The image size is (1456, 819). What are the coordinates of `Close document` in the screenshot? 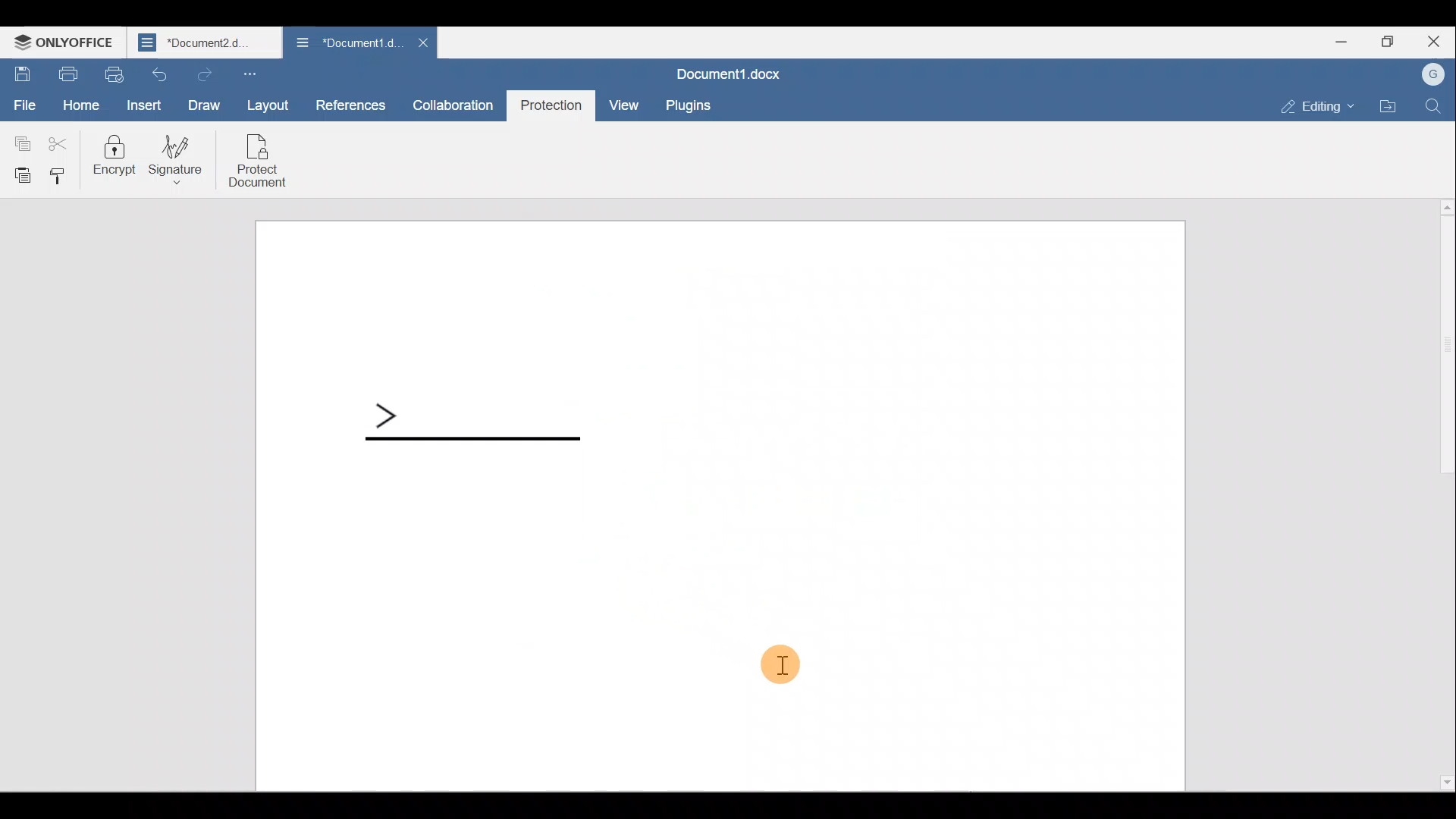 It's located at (425, 42).